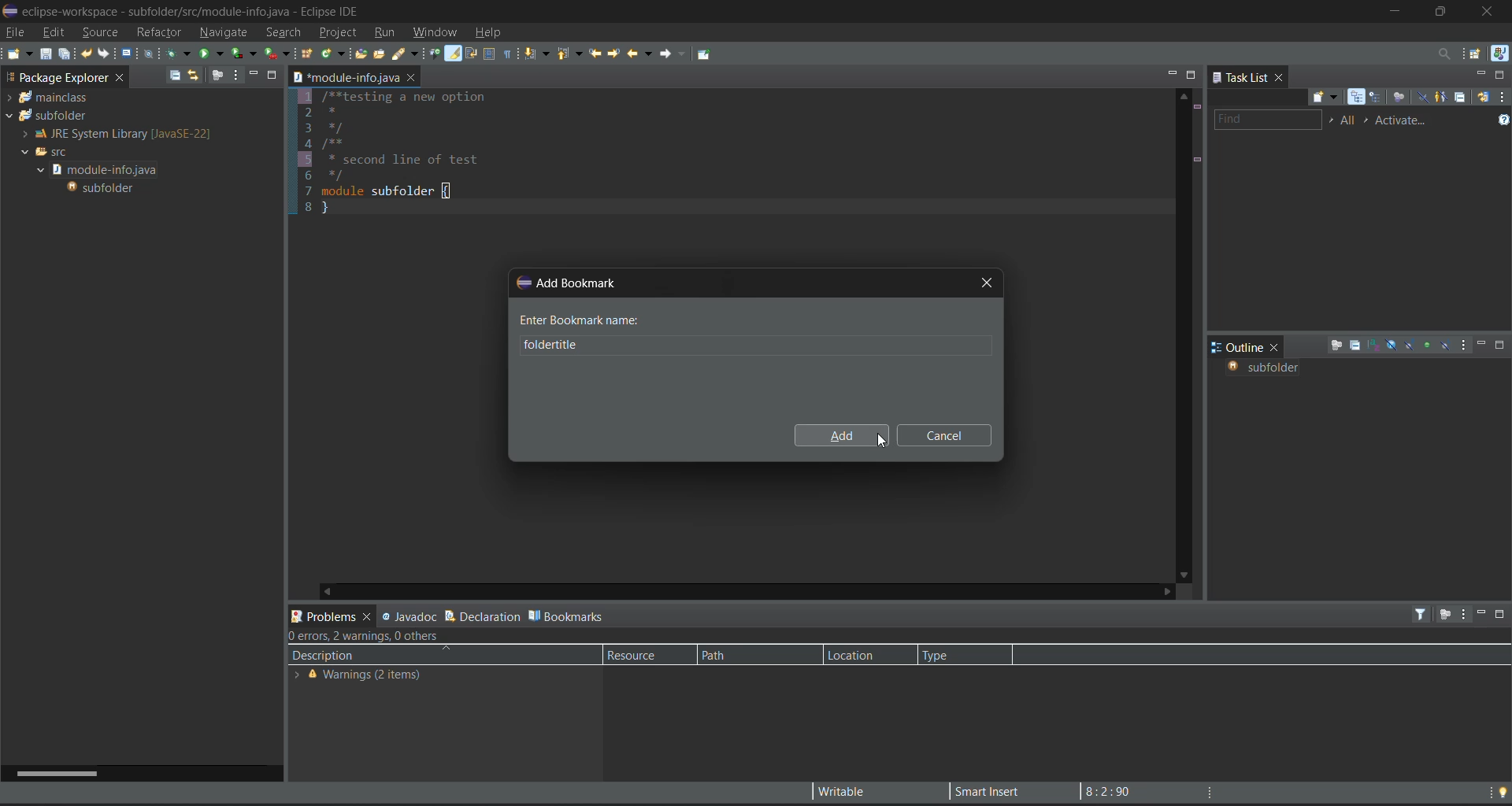 Image resolution: width=1512 pixels, height=806 pixels. I want to click on activate, so click(1406, 120).